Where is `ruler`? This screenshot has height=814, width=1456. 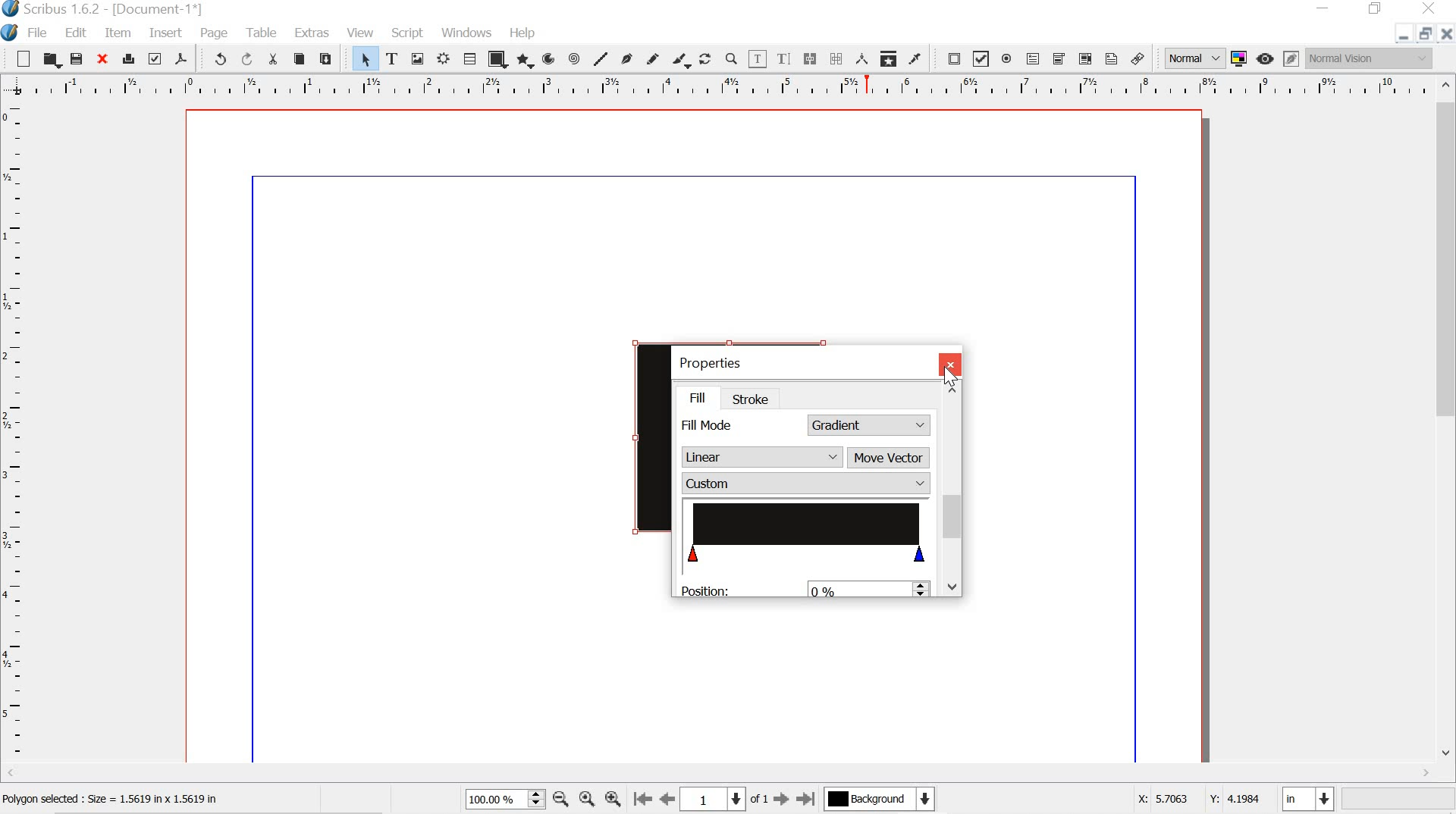 ruler is located at coordinates (14, 433).